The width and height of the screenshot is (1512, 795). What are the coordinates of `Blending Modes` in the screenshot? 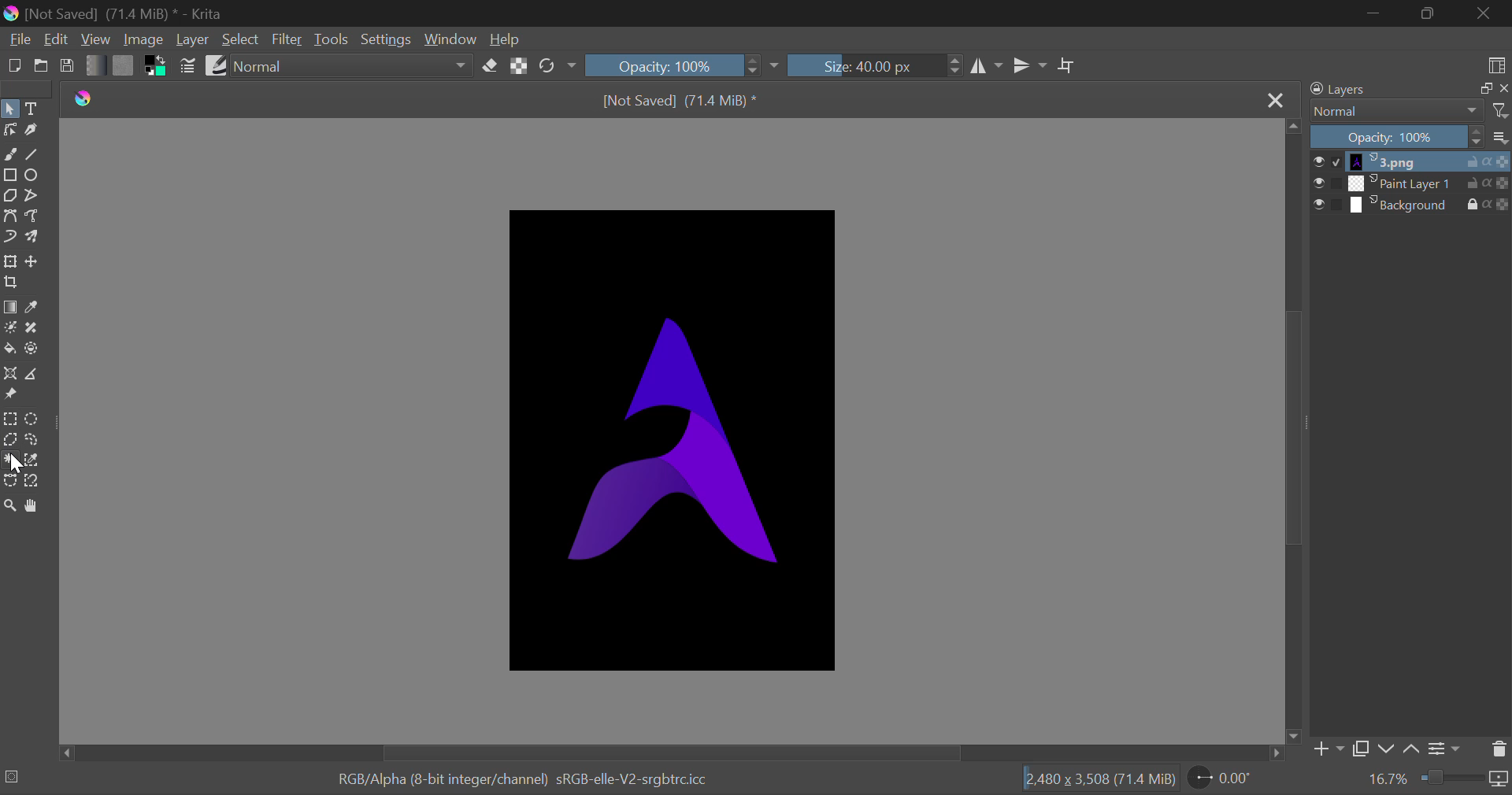 It's located at (1395, 113).